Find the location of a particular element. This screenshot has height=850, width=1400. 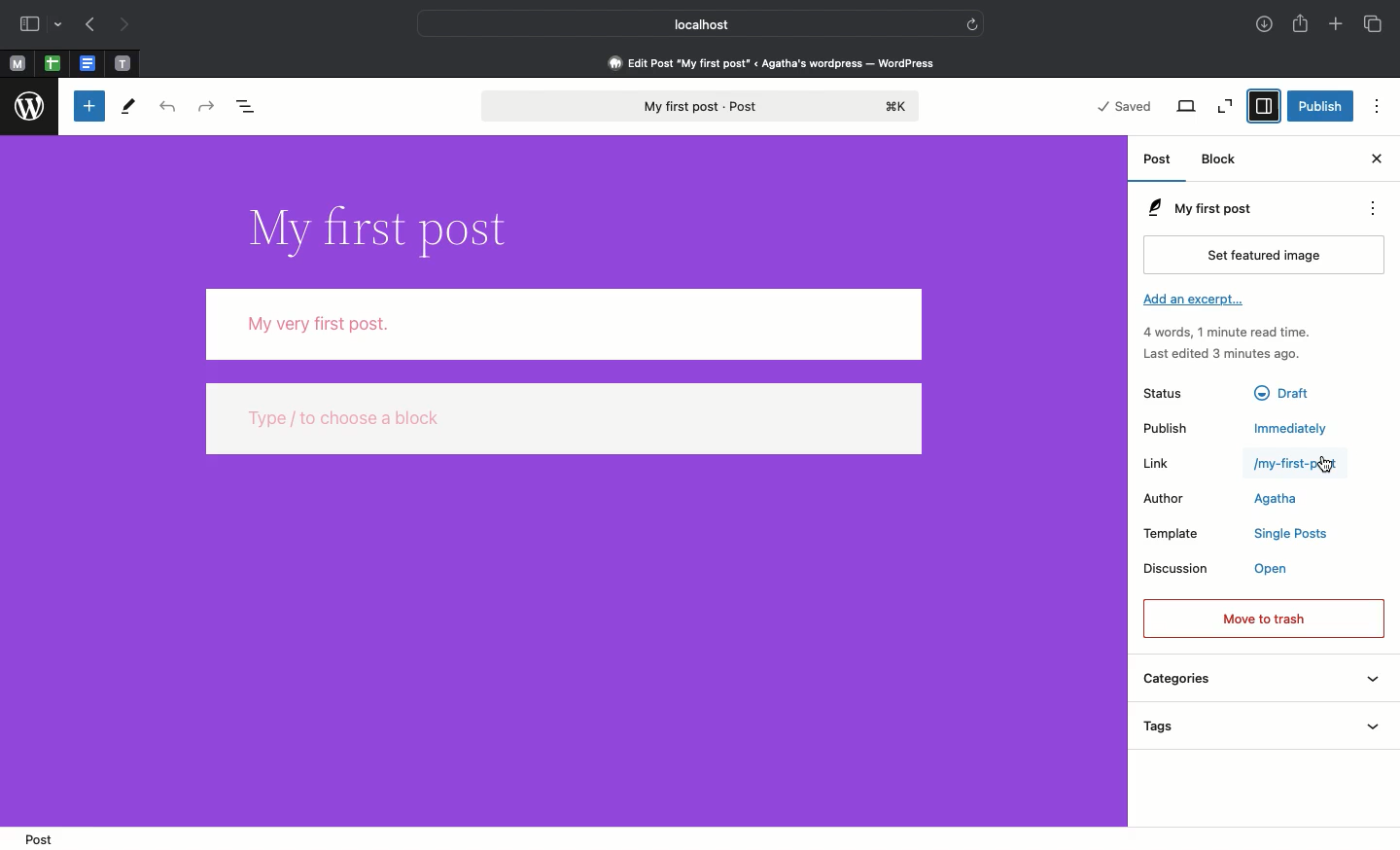

View is located at coordinates (1185, 108).